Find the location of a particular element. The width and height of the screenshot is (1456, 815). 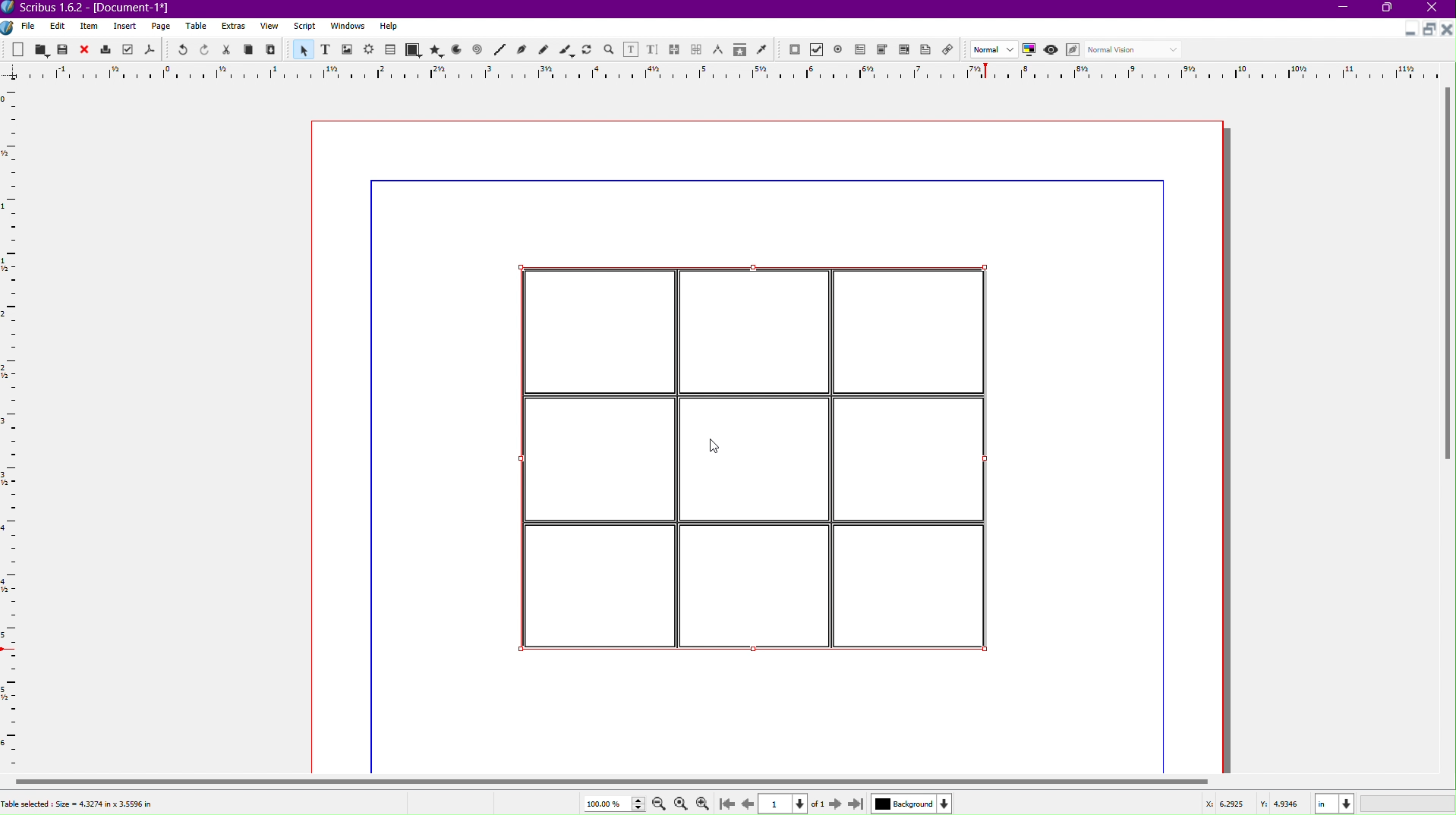

Open is located at coordinates (41, 49).